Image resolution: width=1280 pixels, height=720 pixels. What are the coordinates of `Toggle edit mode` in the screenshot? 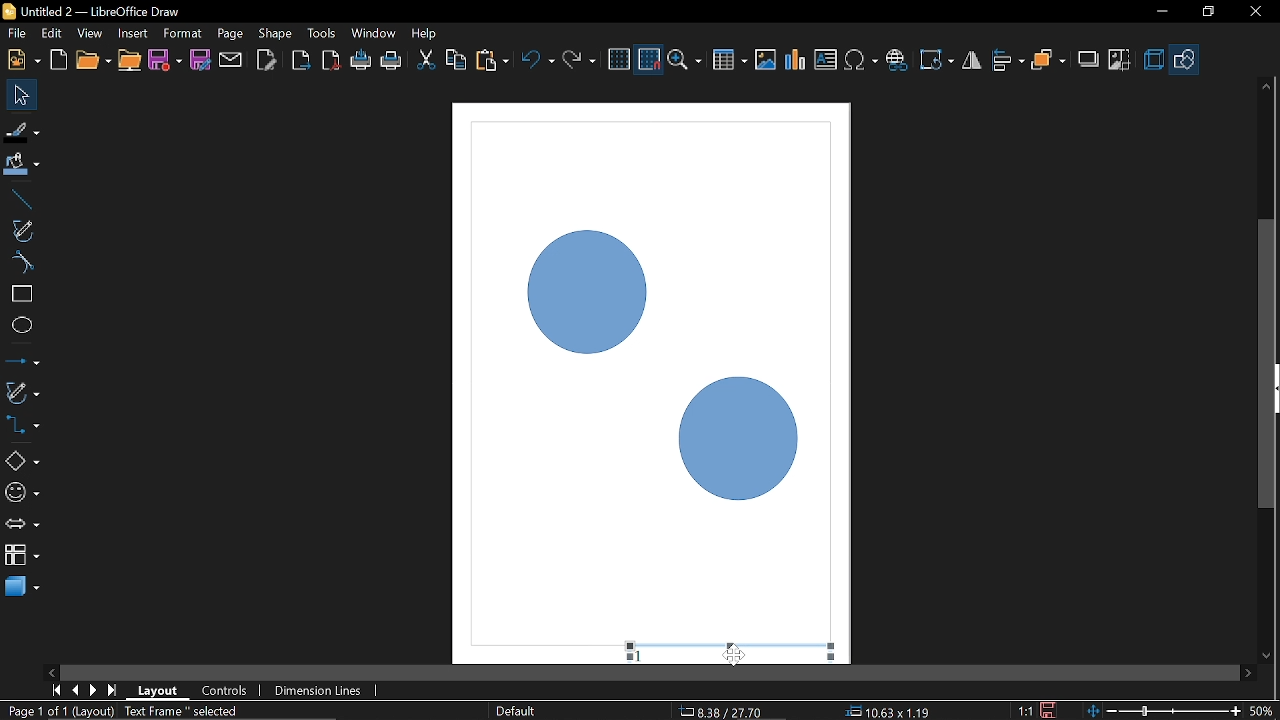 It's located at (268, 59).